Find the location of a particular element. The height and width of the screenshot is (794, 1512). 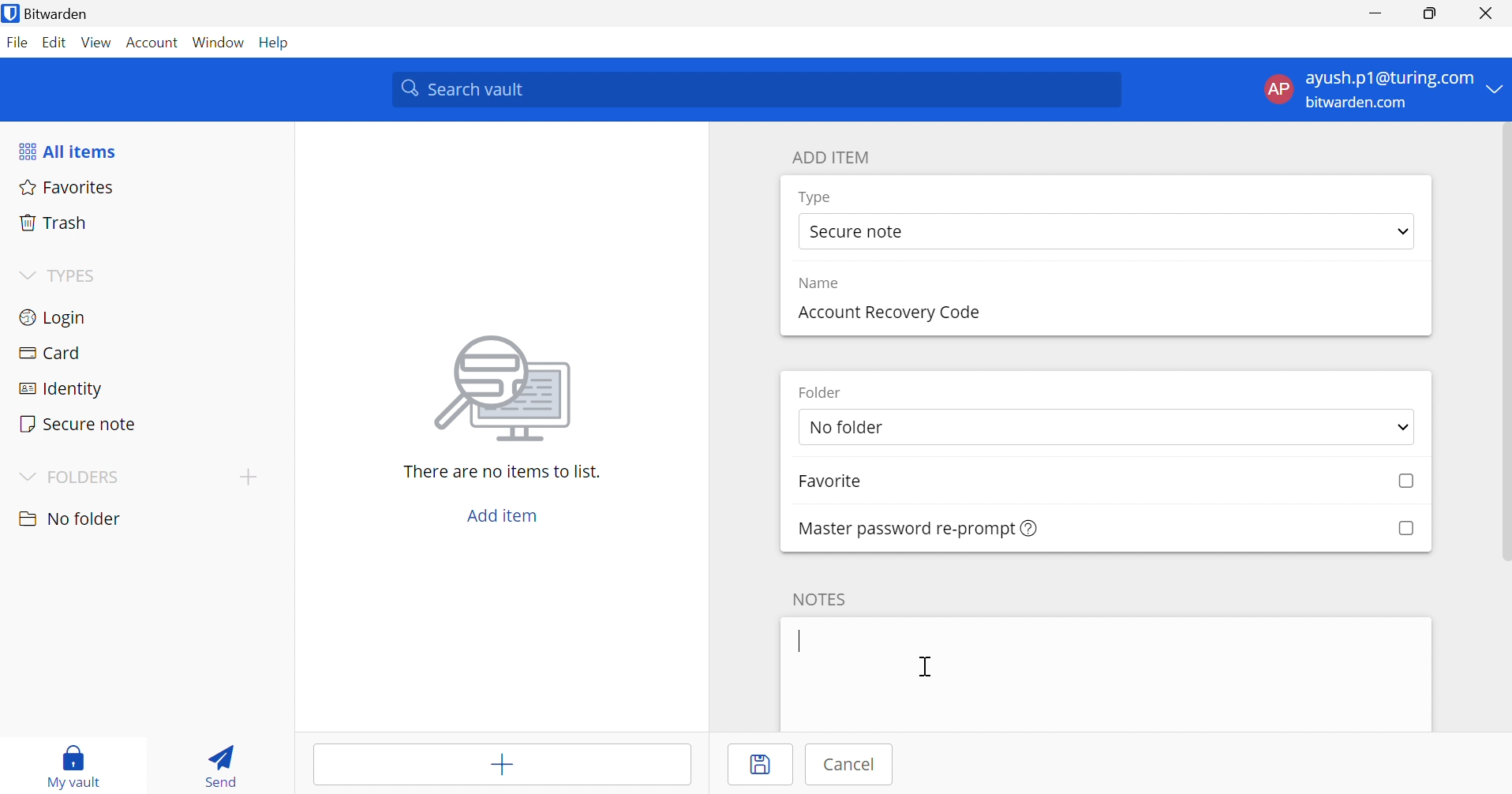

No folder is located at coordinates (919, 429).